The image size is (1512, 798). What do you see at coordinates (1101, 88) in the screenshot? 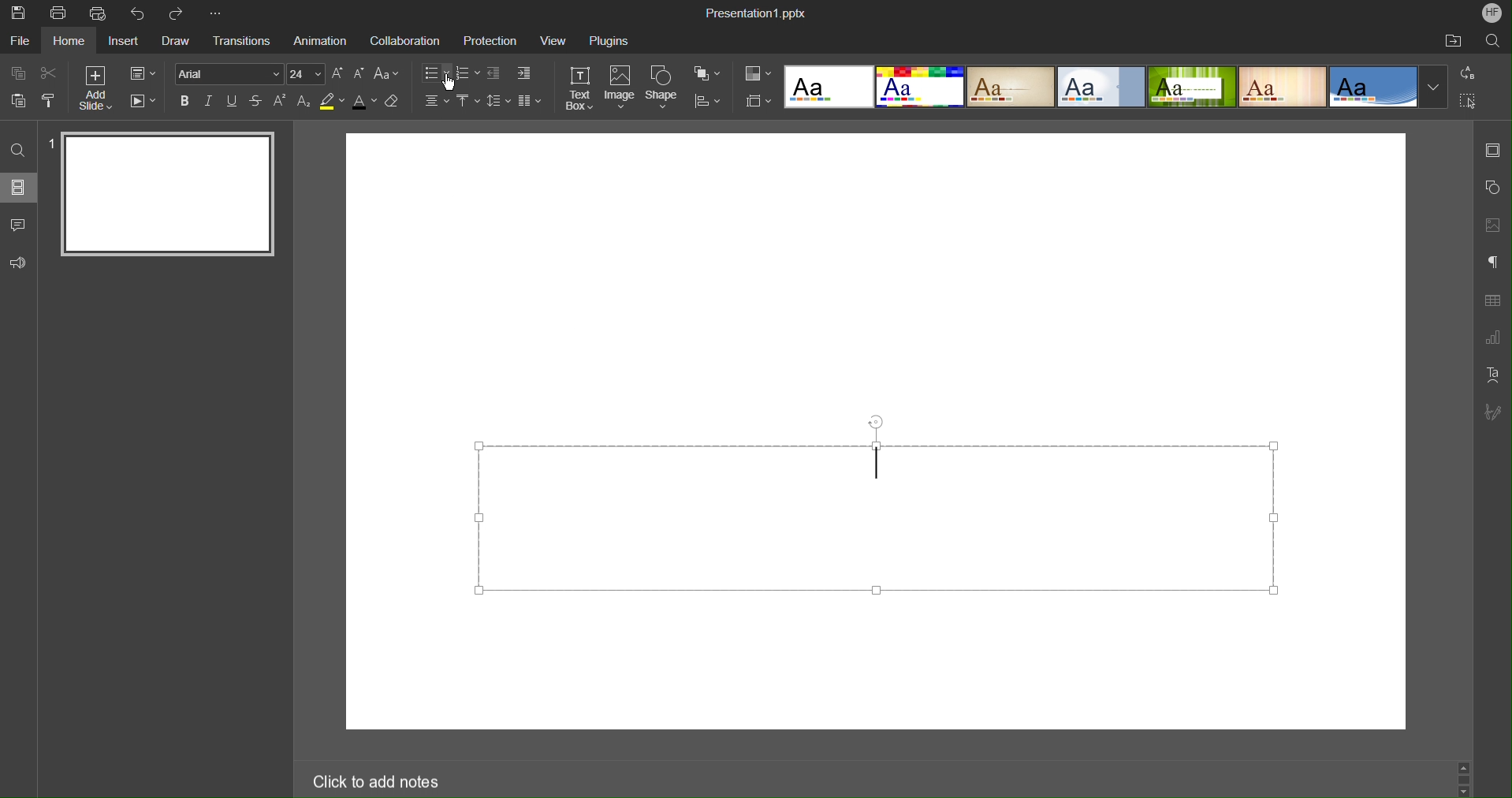
I see `template` at bounding box center [1101, 88].